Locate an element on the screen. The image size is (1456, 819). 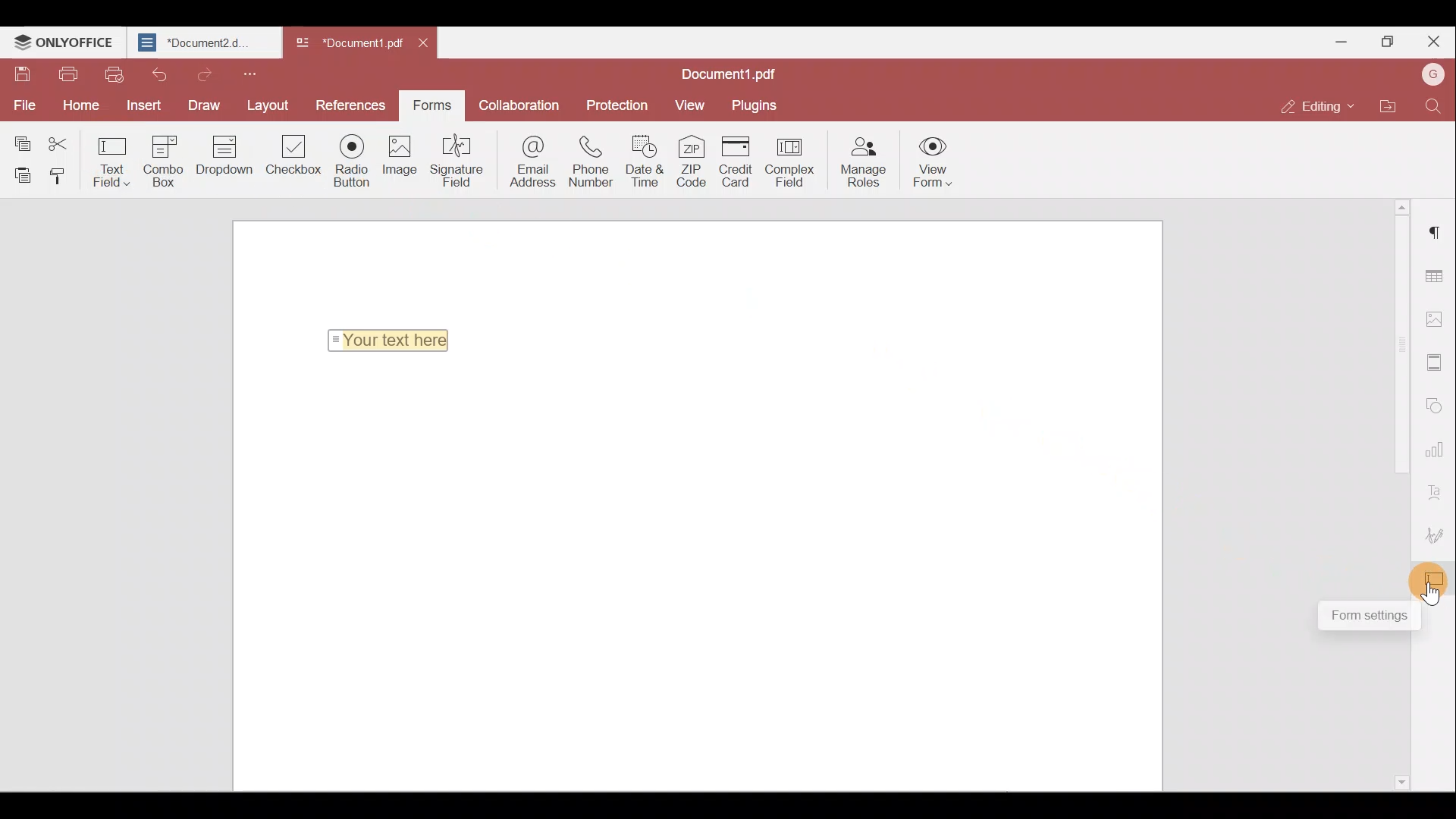
Radio button is located at coordinates (355, 162).